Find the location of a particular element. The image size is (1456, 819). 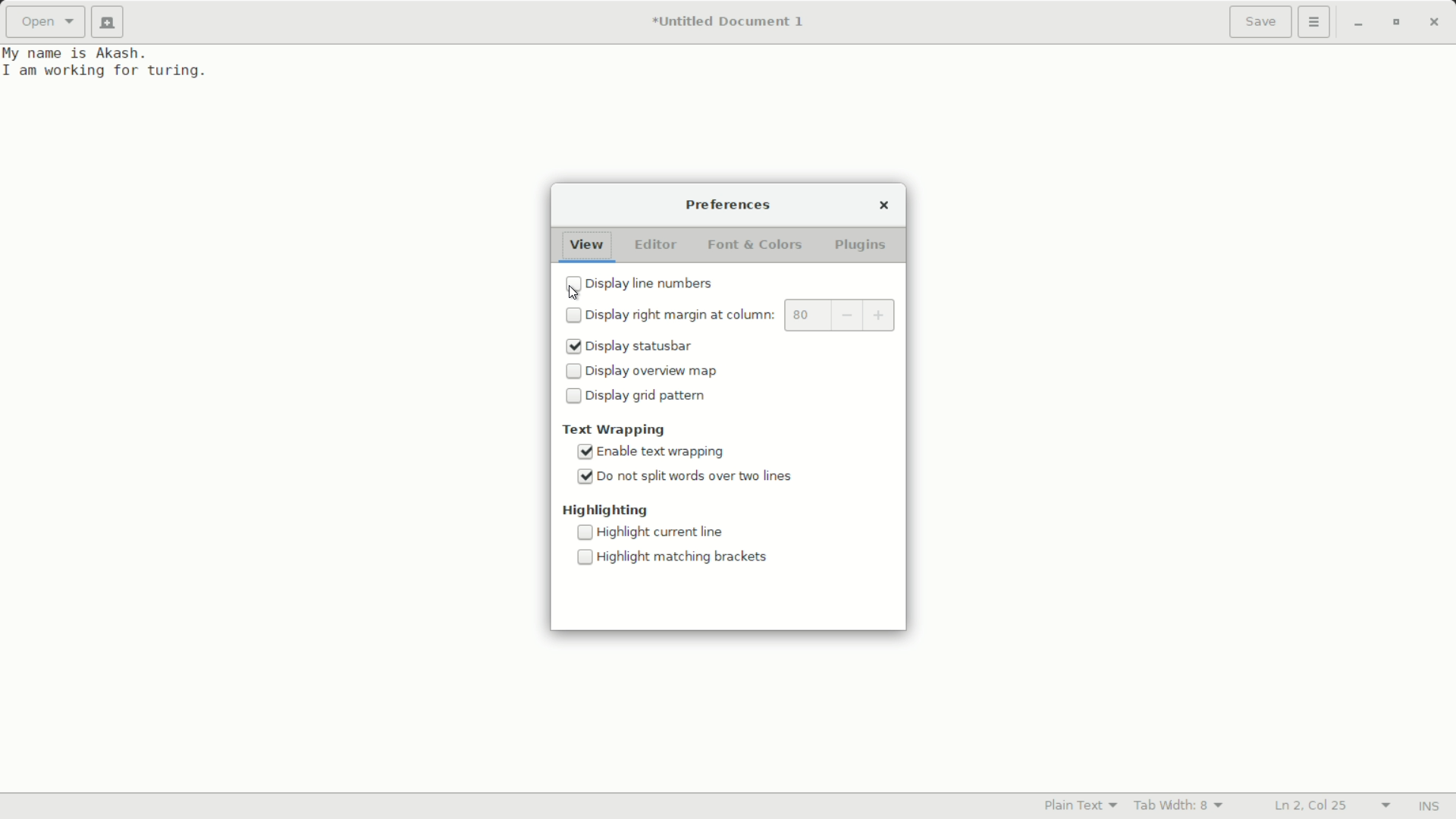

highlighting current file is located at coordinates (667, 532).